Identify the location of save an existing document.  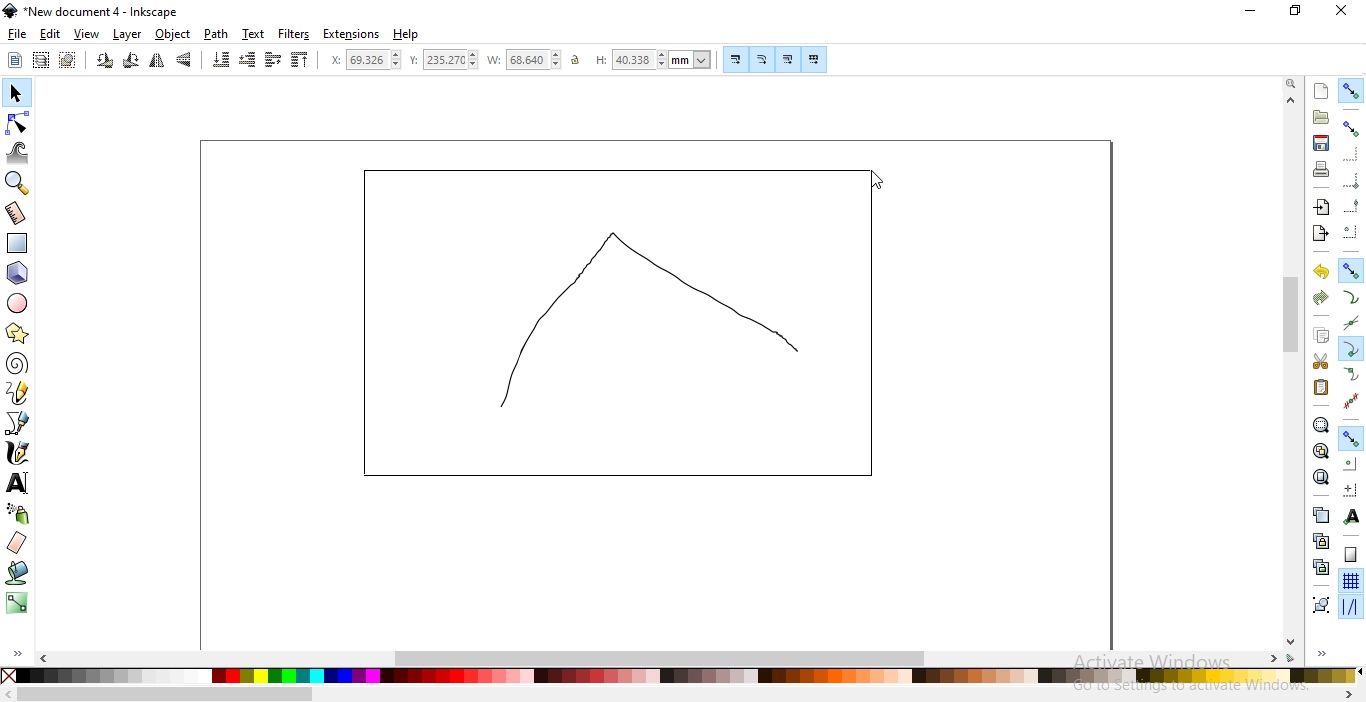
(1321, 142).